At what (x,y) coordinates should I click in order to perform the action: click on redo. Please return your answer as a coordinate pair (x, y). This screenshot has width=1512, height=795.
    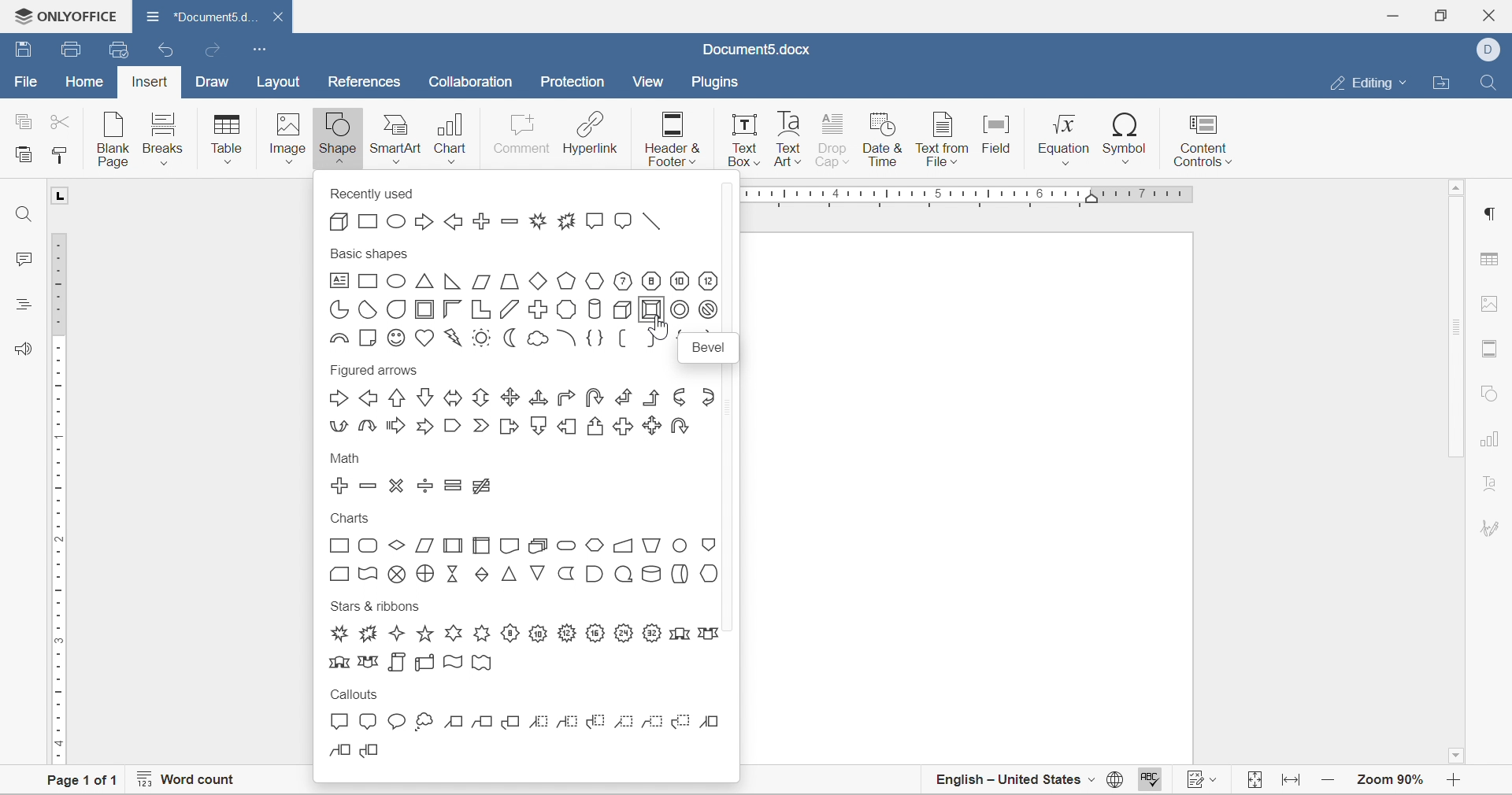
    Looking at the image, I should click on (215, 52).